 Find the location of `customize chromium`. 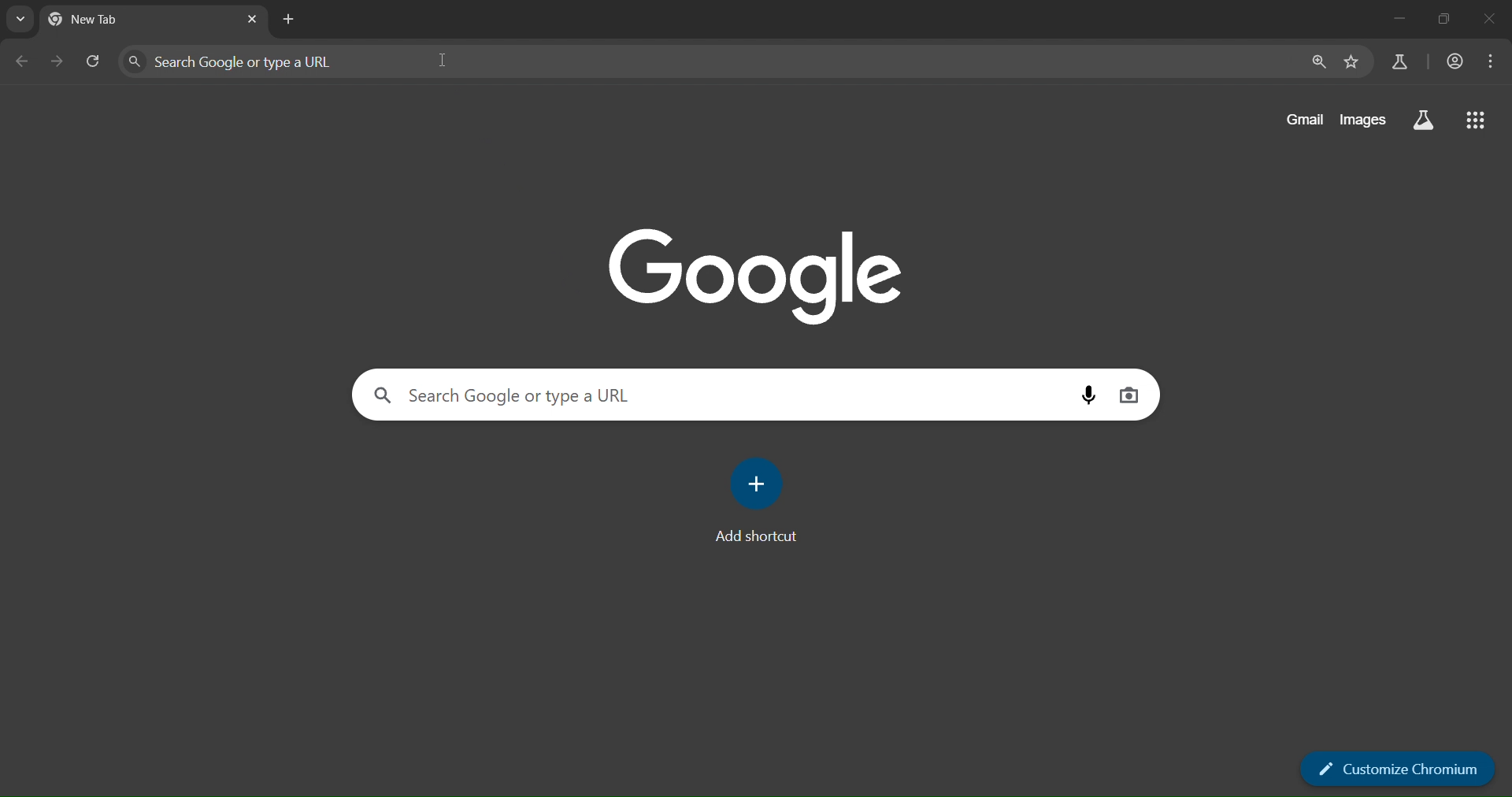

customize chromium is located at coordinates (1400, 768).